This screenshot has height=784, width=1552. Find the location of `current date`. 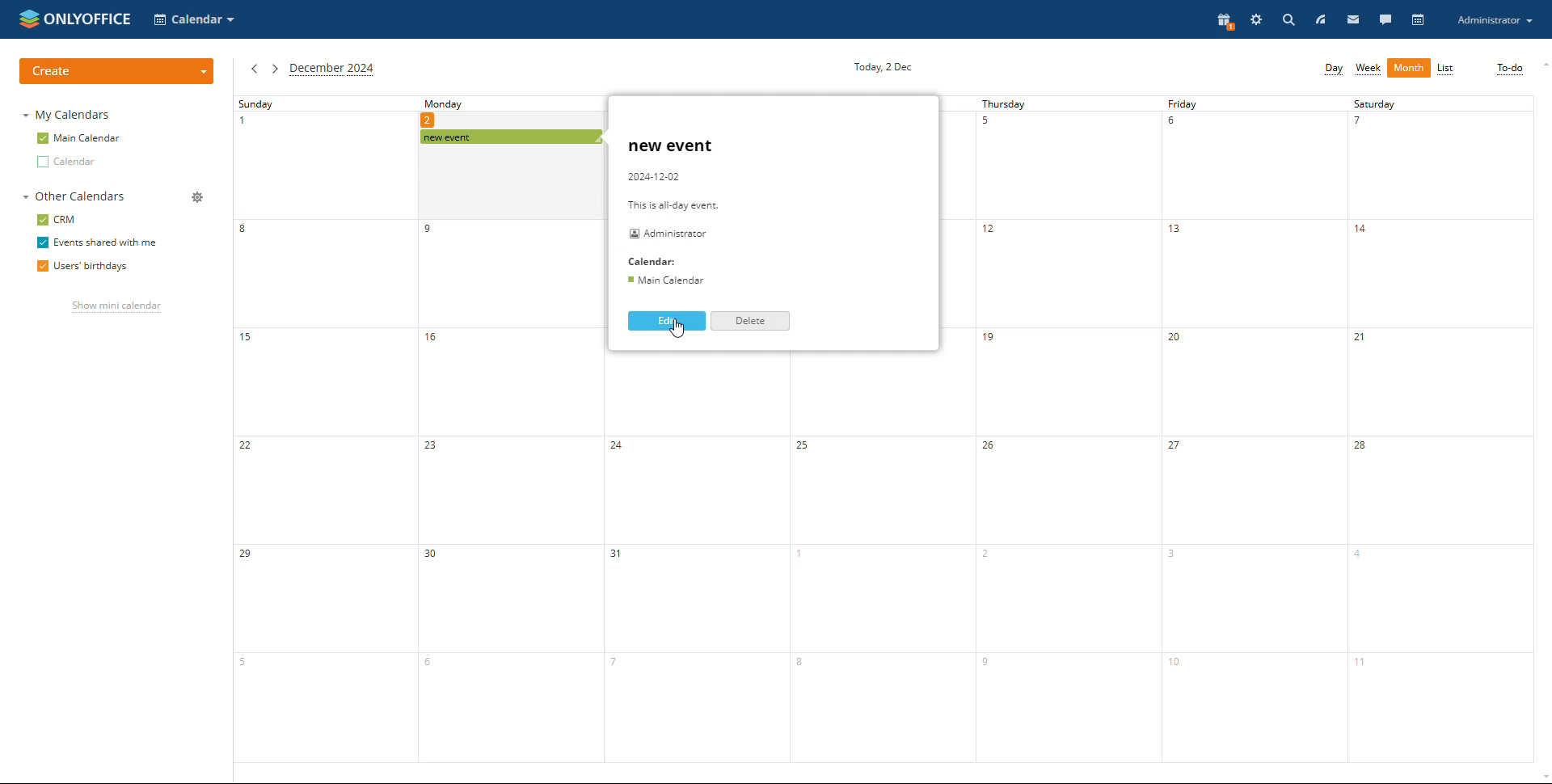

current date is located at coordinates (881, 66).